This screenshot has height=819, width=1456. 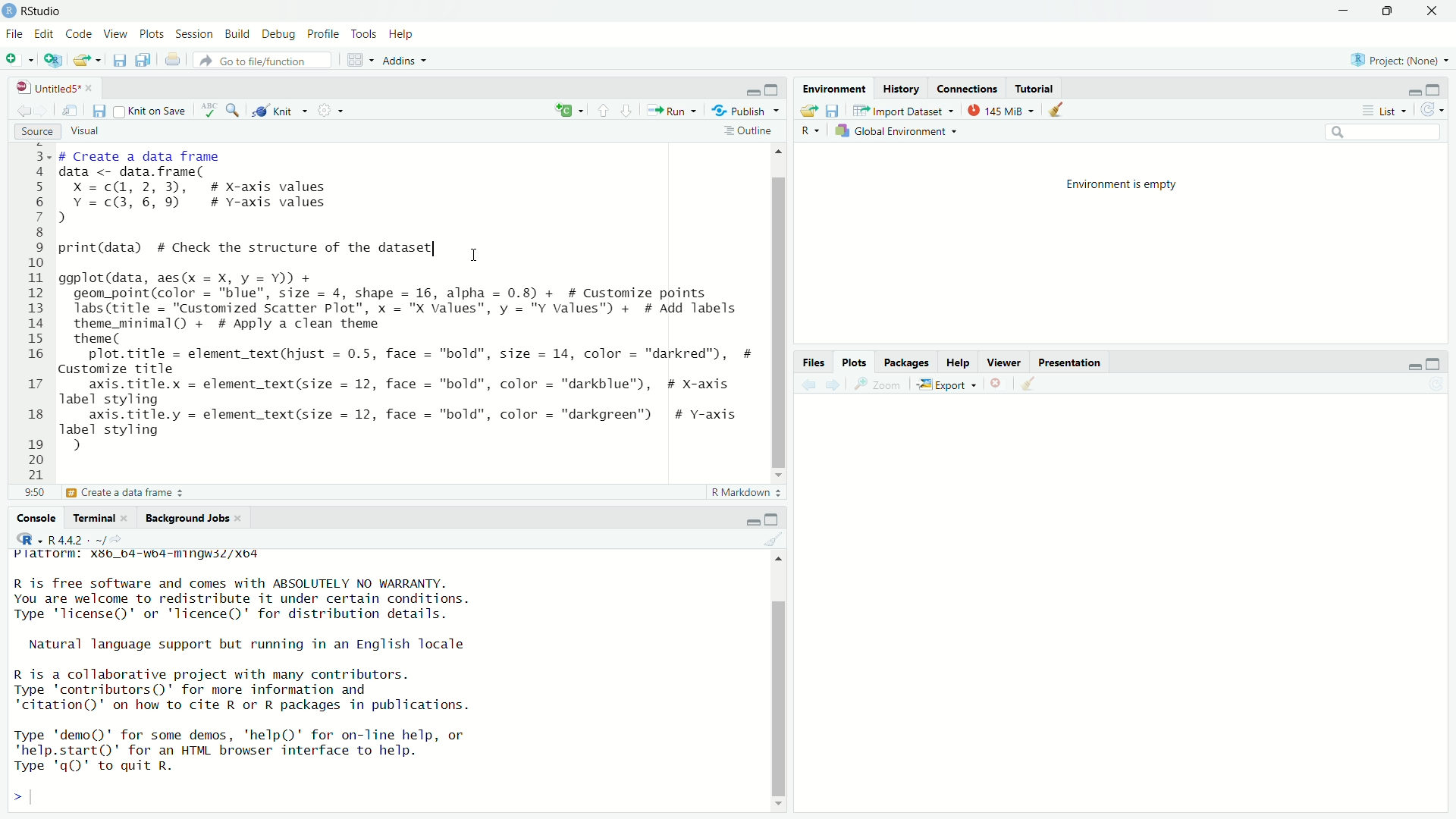 What do you see at coordinates (772, 89) in the screenshot?
I see `Maximize` at bounding box center [772, 89].